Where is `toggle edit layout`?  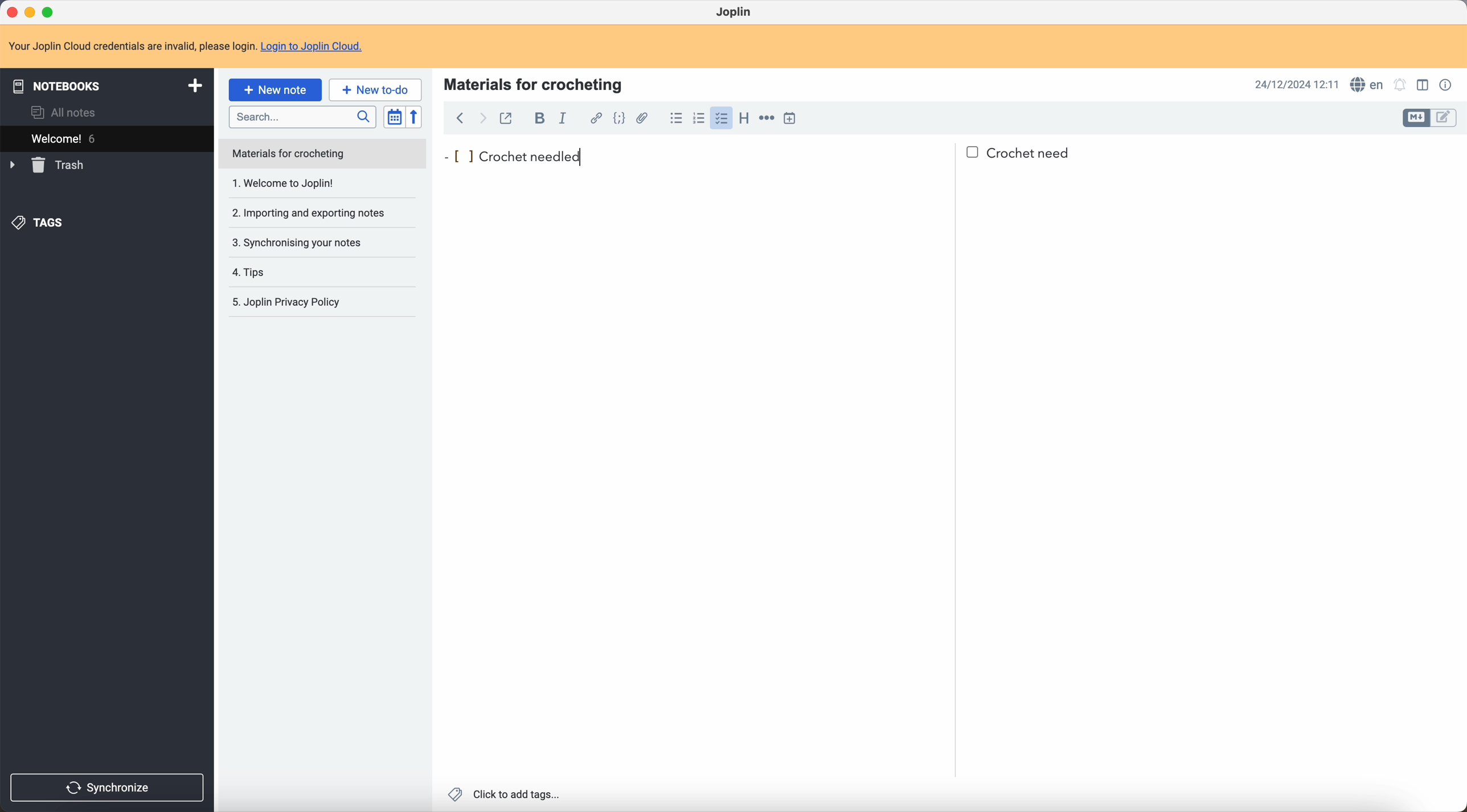 toggle edit layout is located at coordinates (1445, 117).